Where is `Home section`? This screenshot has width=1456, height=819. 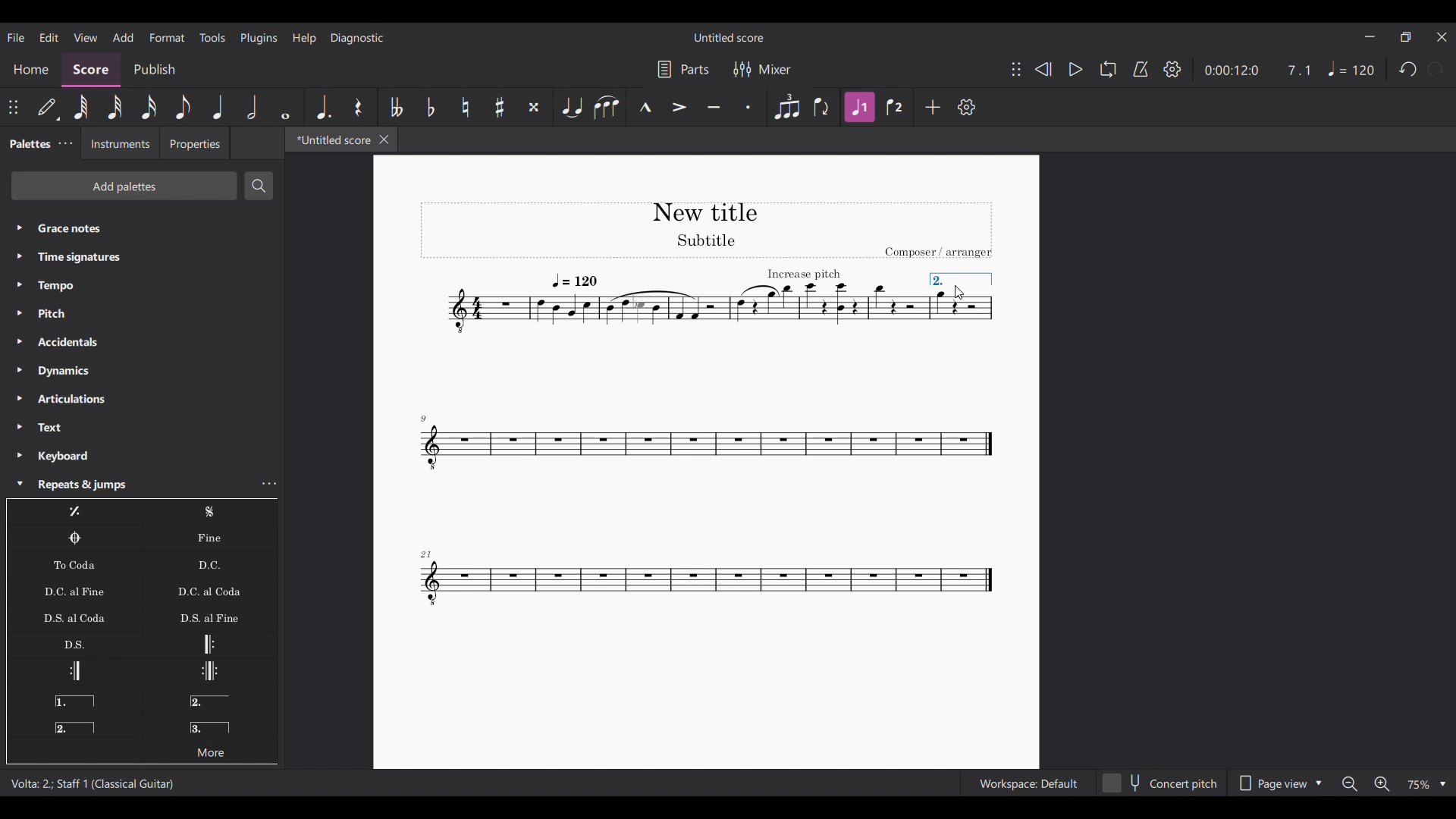 Home section is located at coordinates (30, 69).